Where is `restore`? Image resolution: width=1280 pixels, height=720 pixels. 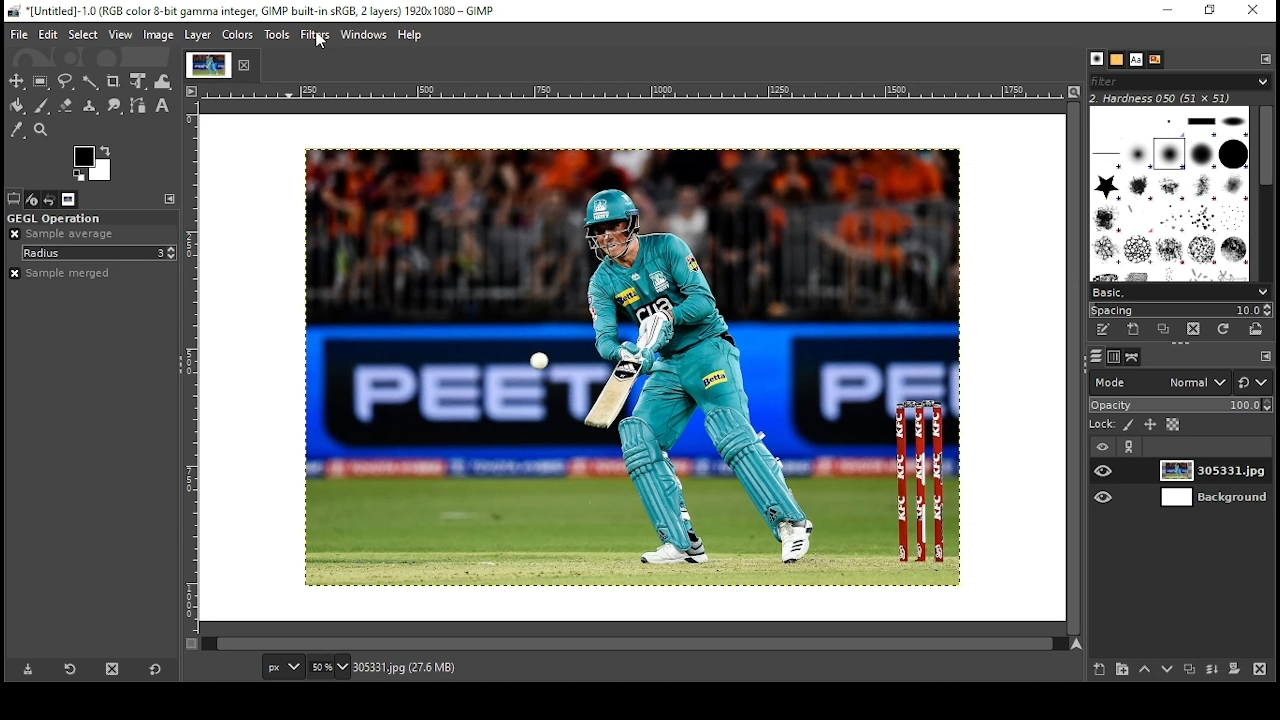 restore is located at coordinates (1208, 11).